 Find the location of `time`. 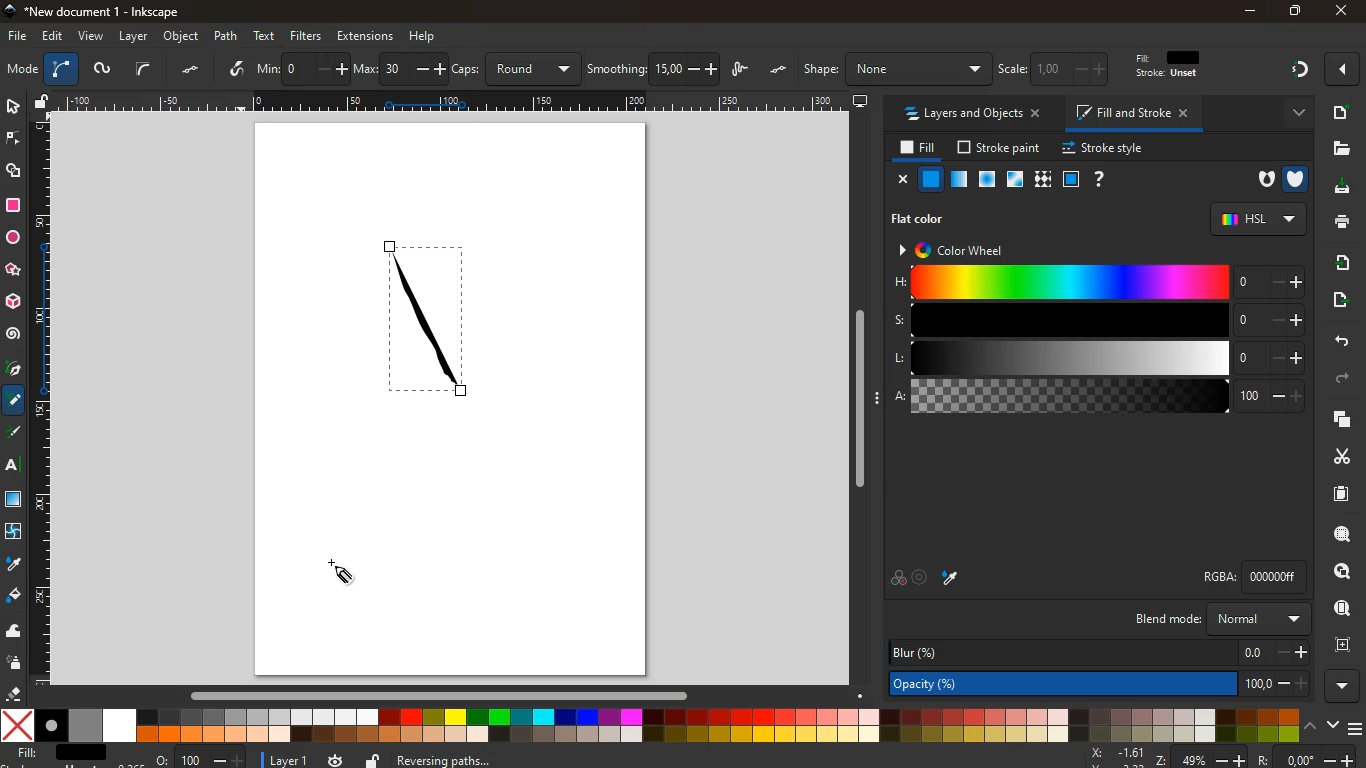

time is located at coordinates (335, 759).